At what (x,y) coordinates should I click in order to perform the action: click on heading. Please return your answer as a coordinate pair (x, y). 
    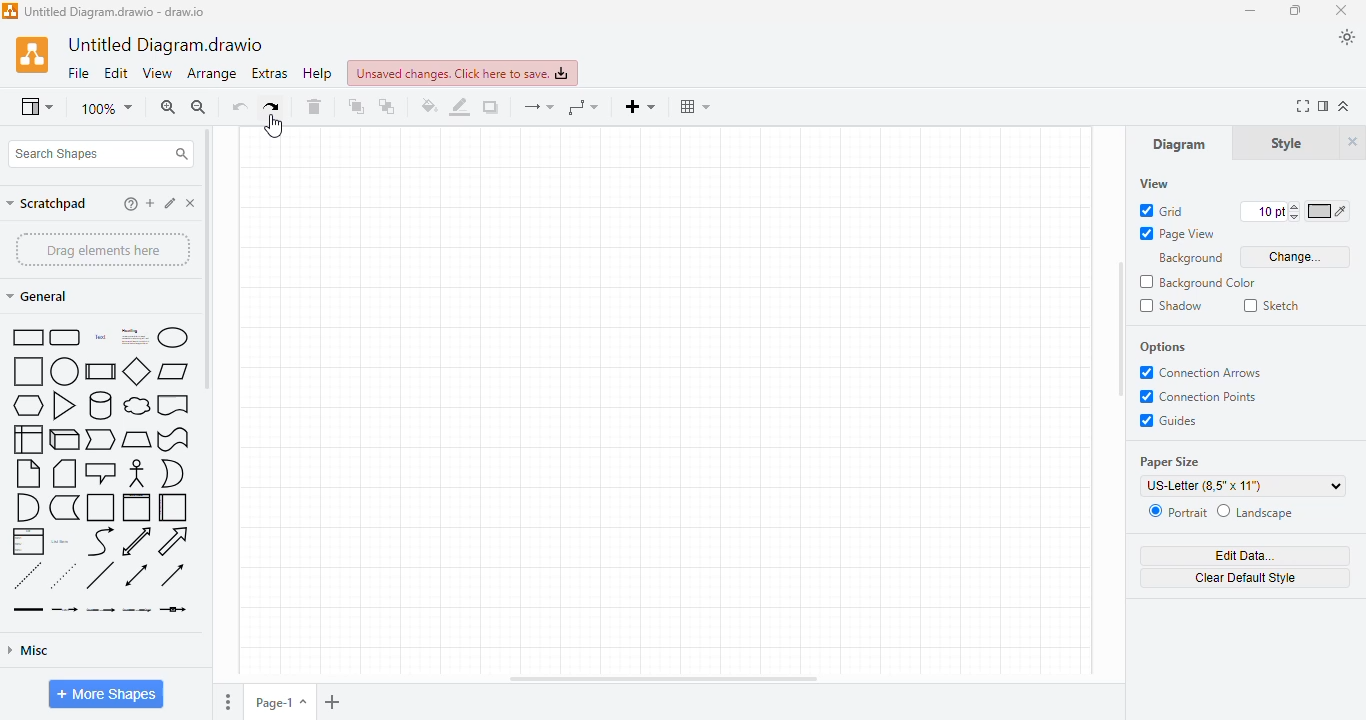
    Looking at the image, I should click on (133, 336).